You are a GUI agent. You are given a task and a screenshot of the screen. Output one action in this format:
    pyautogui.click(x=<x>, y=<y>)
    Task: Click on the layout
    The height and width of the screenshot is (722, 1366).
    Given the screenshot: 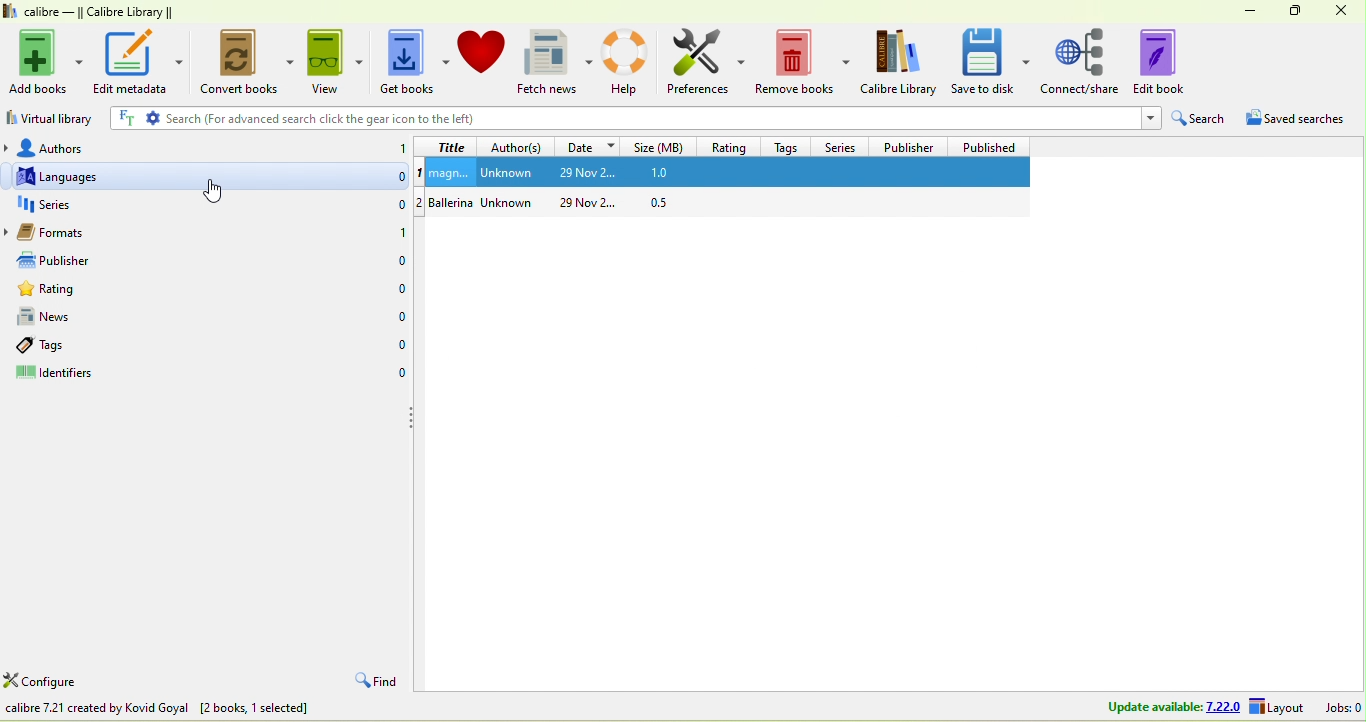 What is the action you would take?
    pyautogui.click(x=1279, y=707)
    